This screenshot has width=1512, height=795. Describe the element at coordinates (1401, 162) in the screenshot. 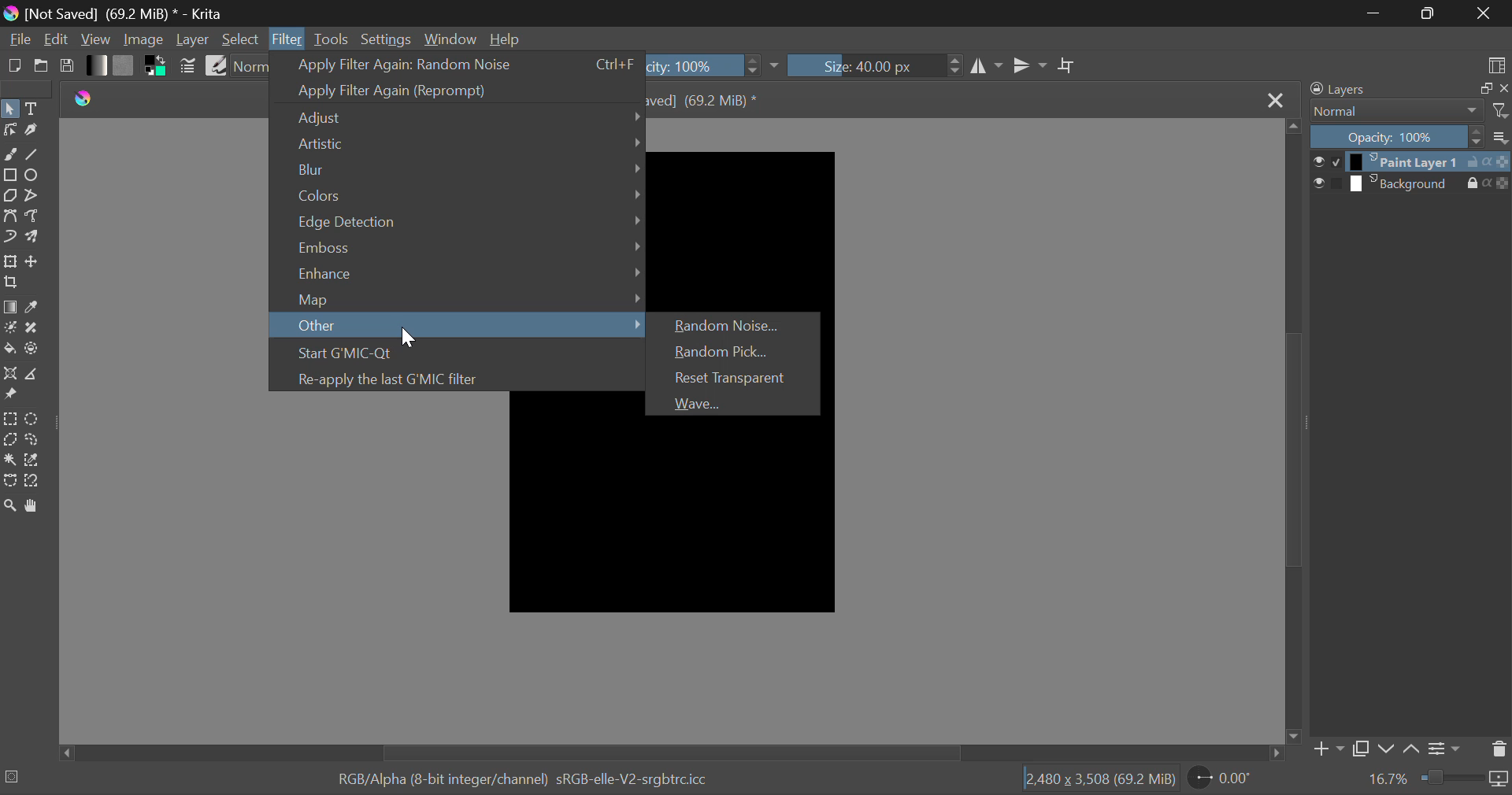

I see `Paint layer 1` at that location.